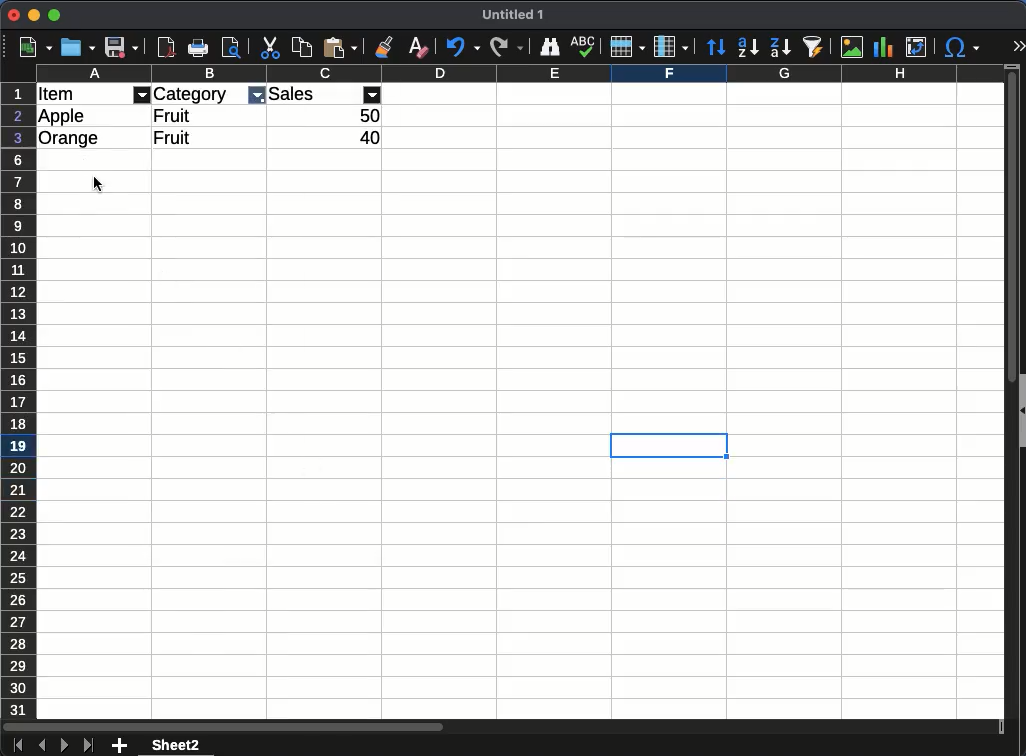 The image size is (1026, 756). What do you see at coordinates (584, 47) in the screenshot?
I see `spelling` at bounding box center [584, 47].